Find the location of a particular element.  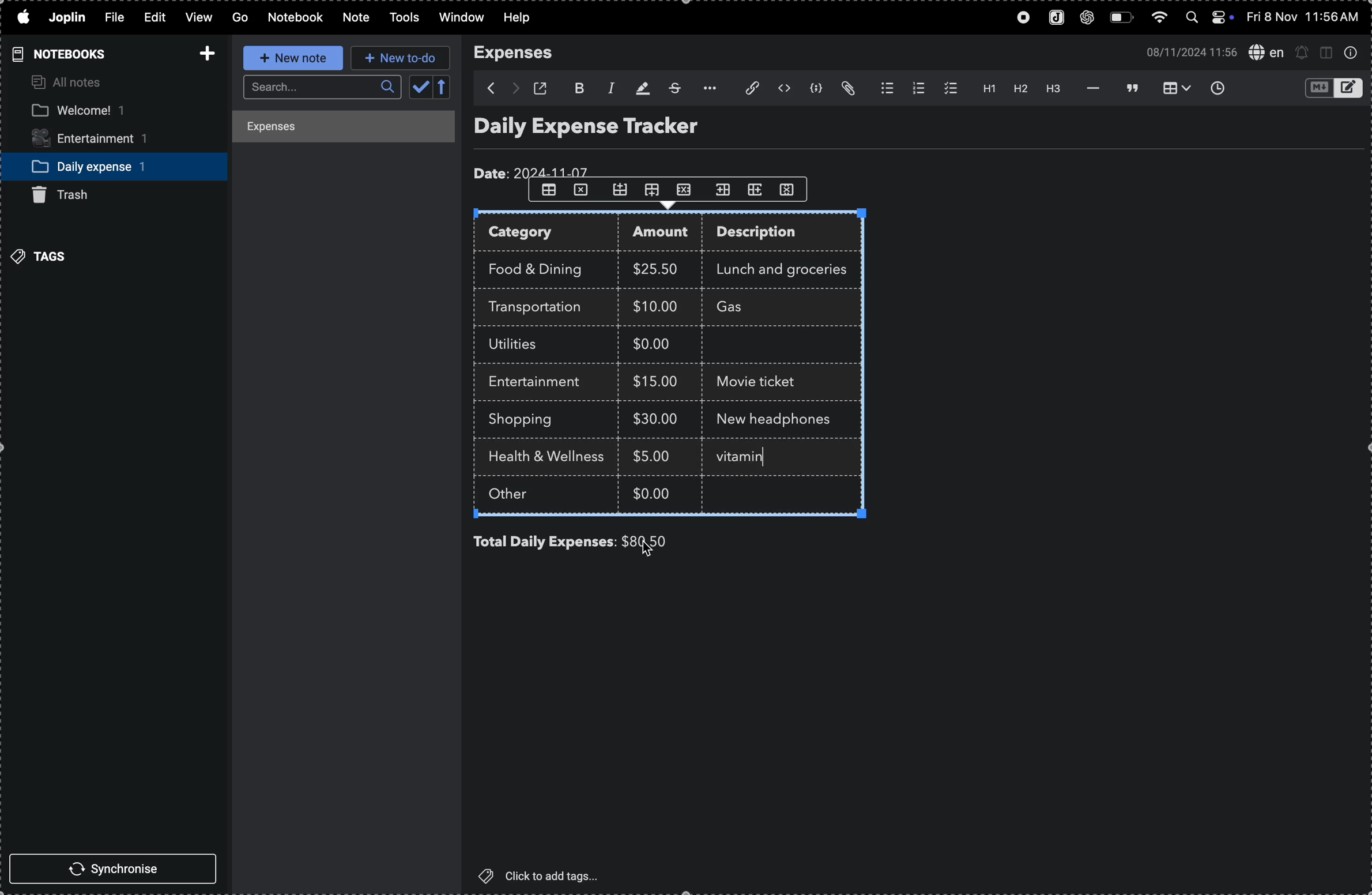

movie ticket is located at coordinates (761, 383).